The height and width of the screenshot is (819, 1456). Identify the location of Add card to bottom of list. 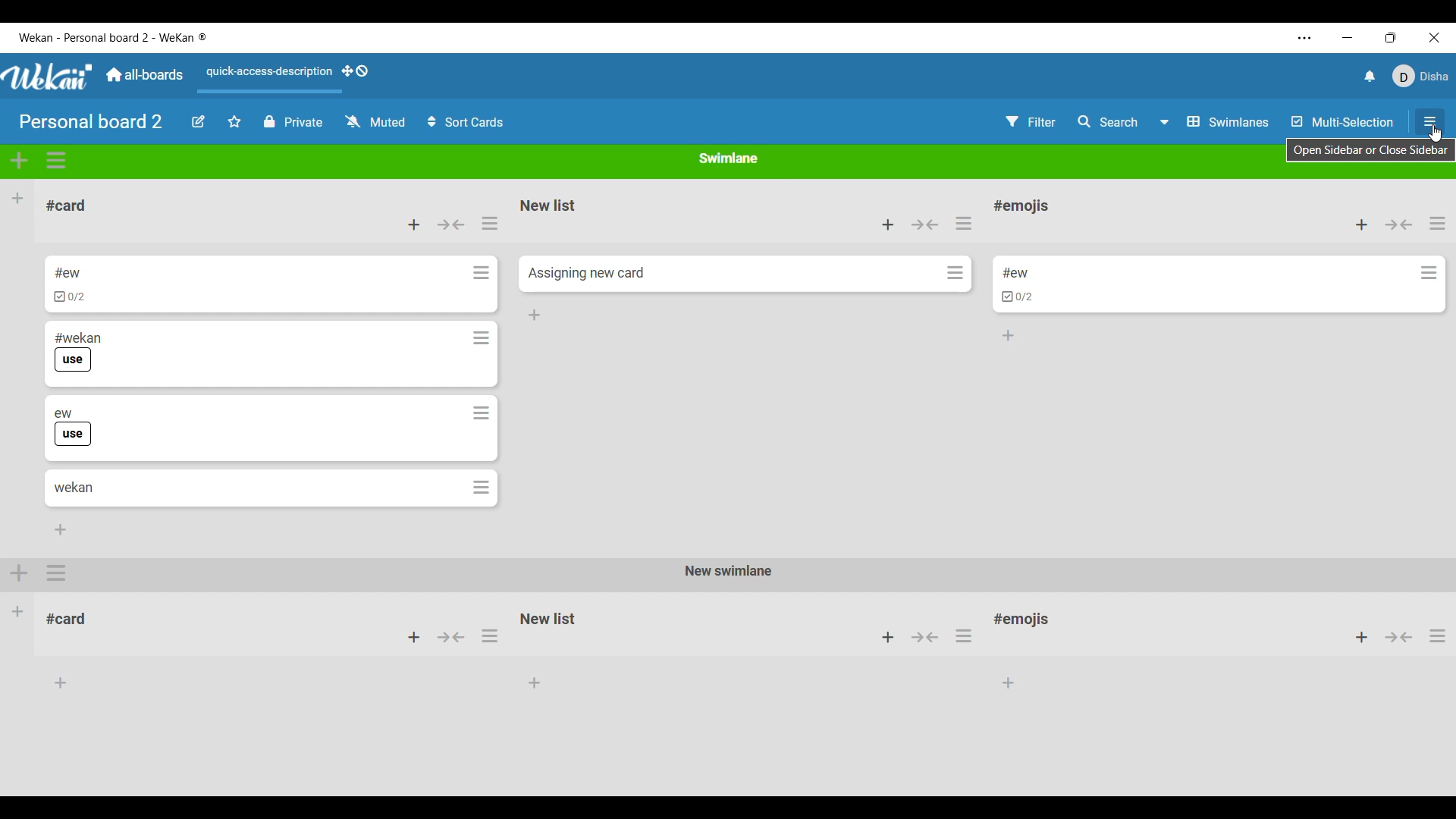
(61, 529).